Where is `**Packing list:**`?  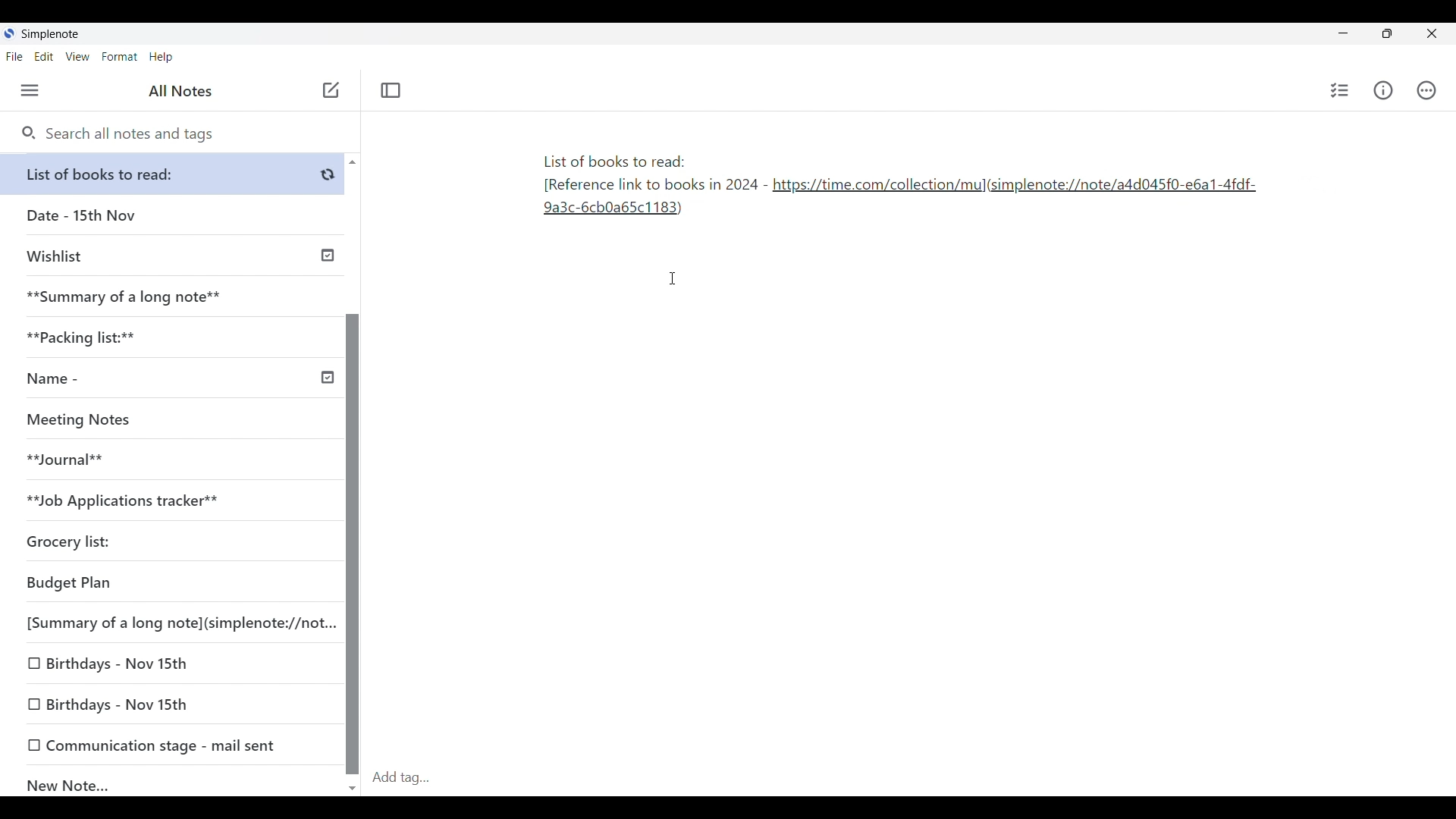 **Packing list:** is located at coordinates (174, 337).